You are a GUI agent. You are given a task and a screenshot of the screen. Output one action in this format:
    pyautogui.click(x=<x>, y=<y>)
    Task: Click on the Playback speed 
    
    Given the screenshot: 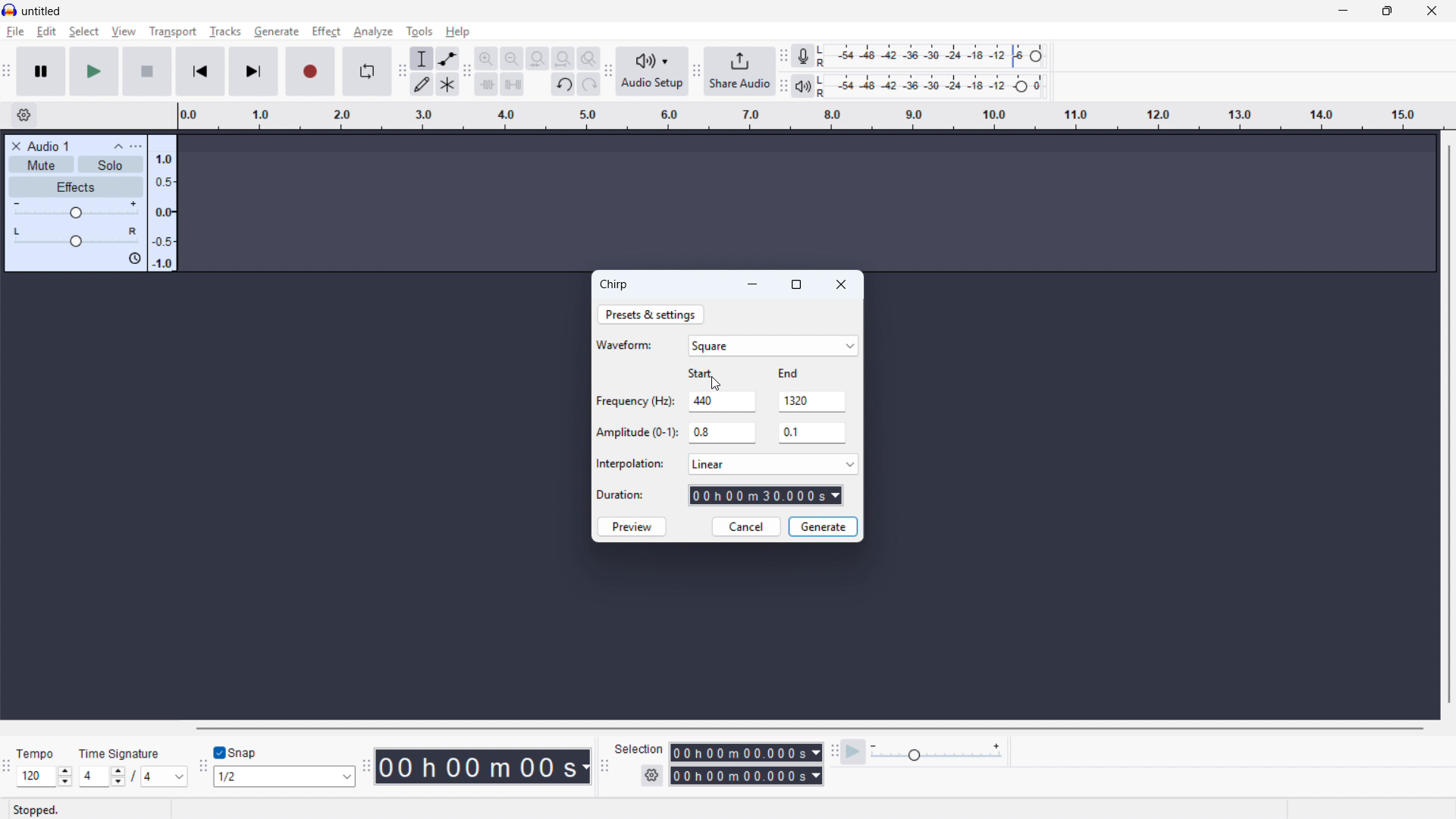 What is the action you would take?
    pyautogui.click(x=937, y=752)
    